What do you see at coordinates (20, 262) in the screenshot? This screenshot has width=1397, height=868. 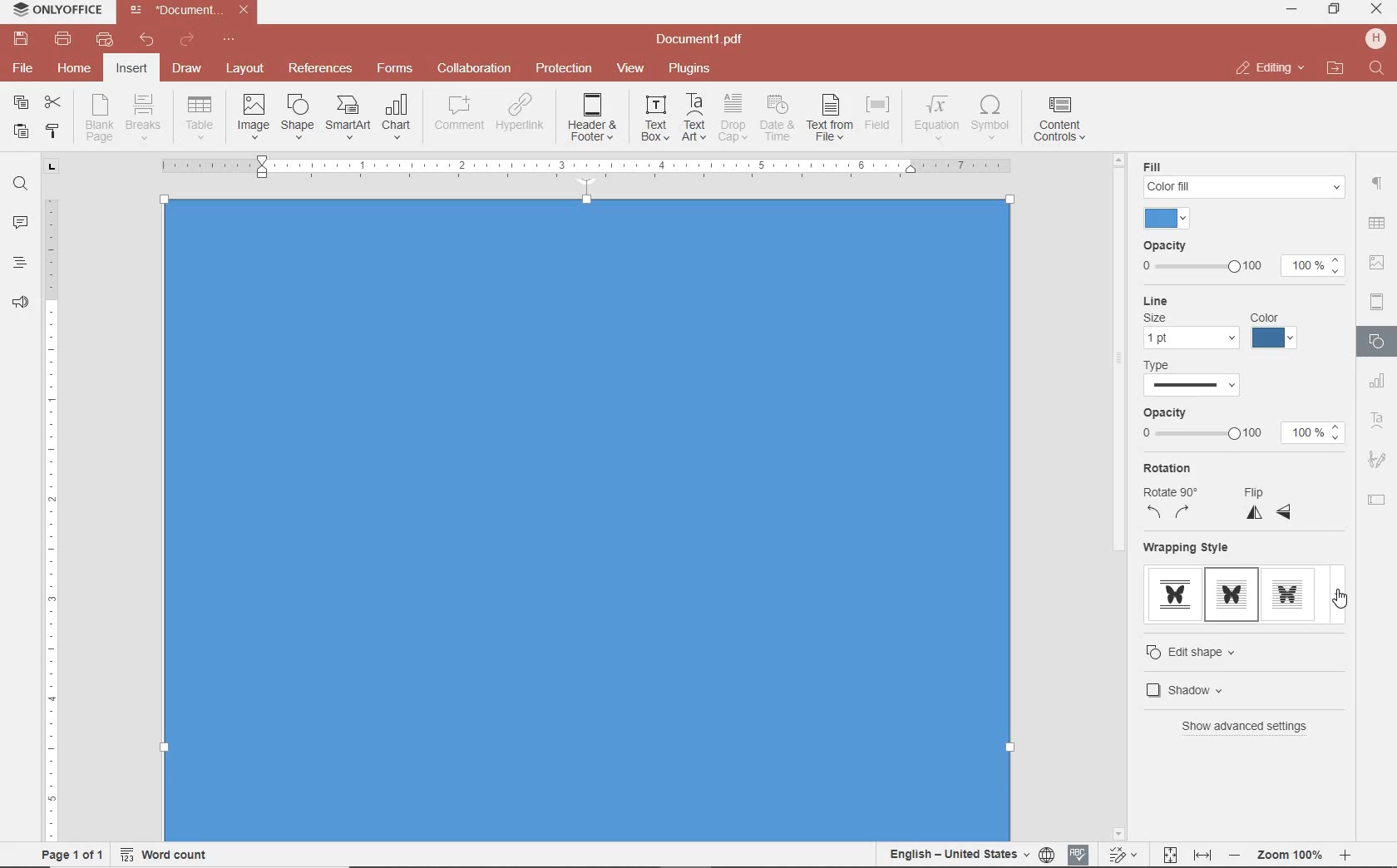 I see `heading` at bounding box center [20, 262].